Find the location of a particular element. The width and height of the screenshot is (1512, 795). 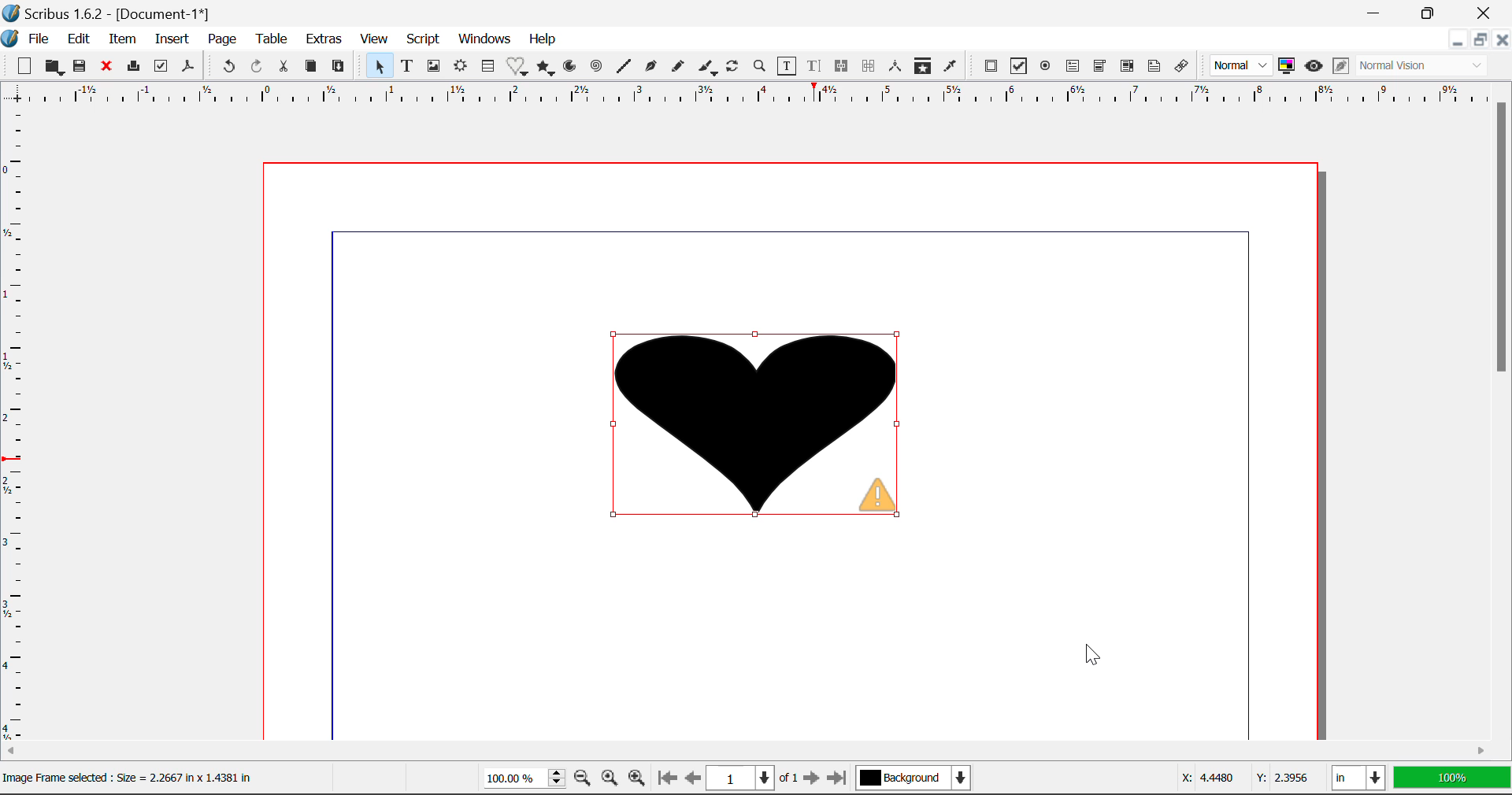

Y: 2.3956 is located at coordinates (1281, 778).